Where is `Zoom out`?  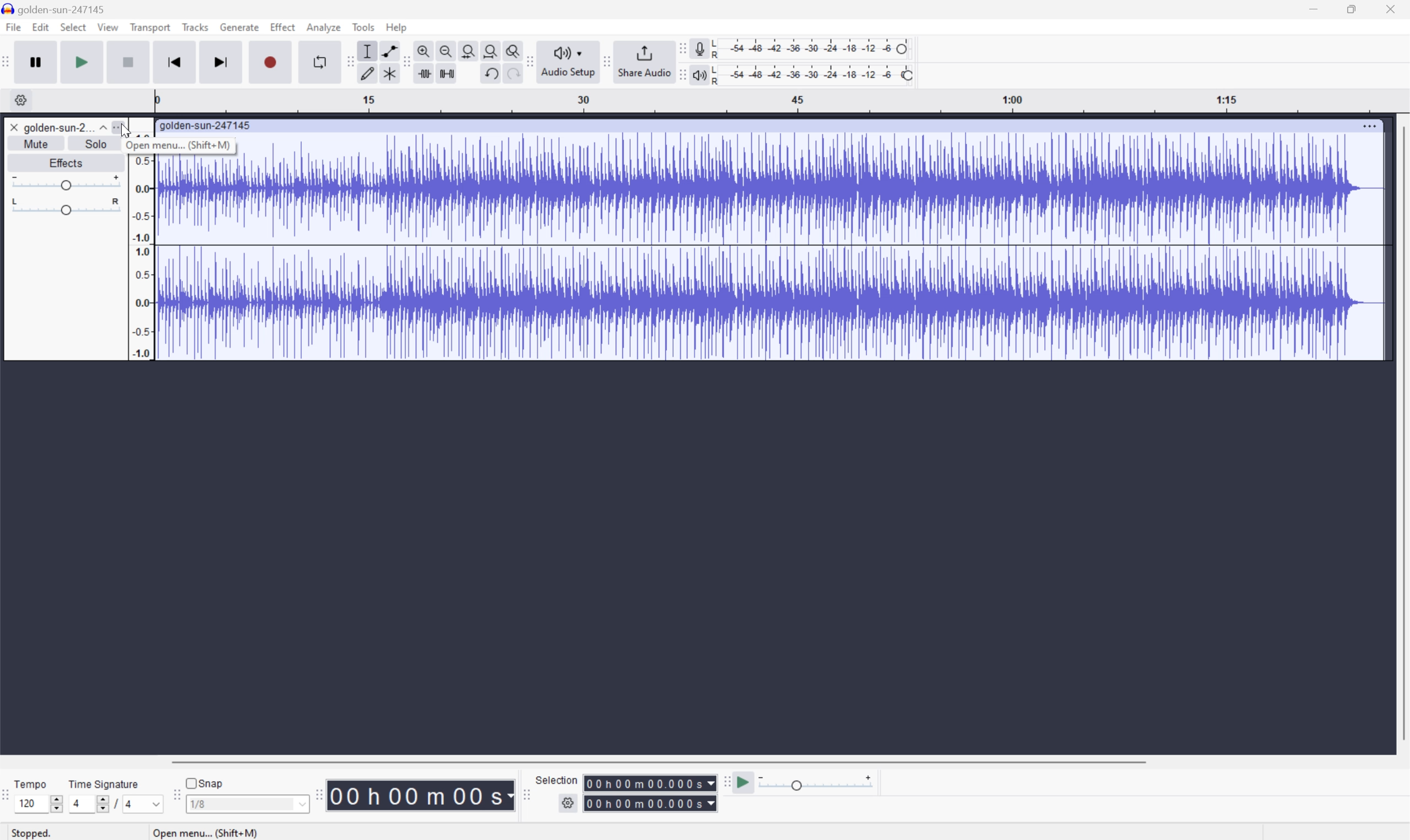
Zoom out is located at coordinates (447, 50).